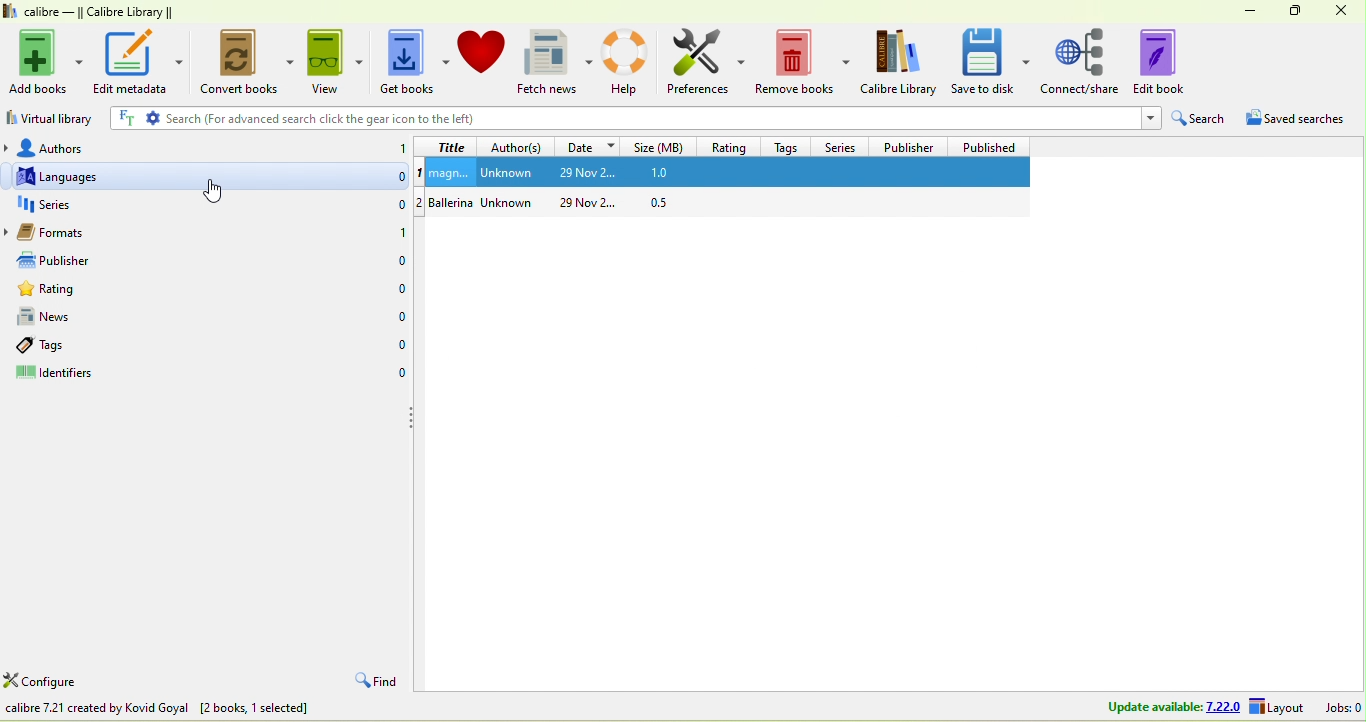  Describe the element at coordinates (140, 61) in the screenshot. I see `edit metadata` at that location.